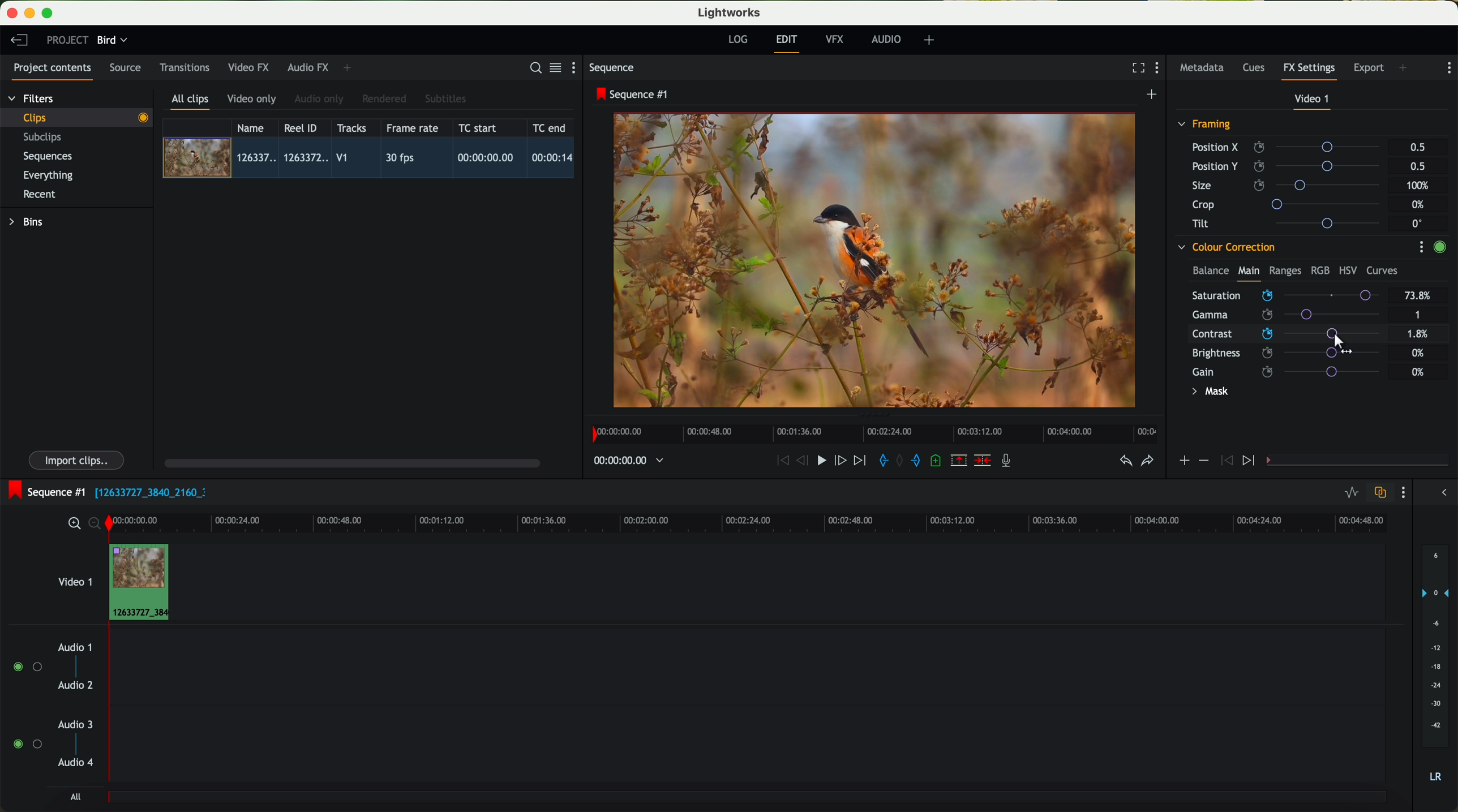 The image size is (1458, 812). Describe the element at coordinates (40, 196) in the screenshot. I see `recent` at that location.